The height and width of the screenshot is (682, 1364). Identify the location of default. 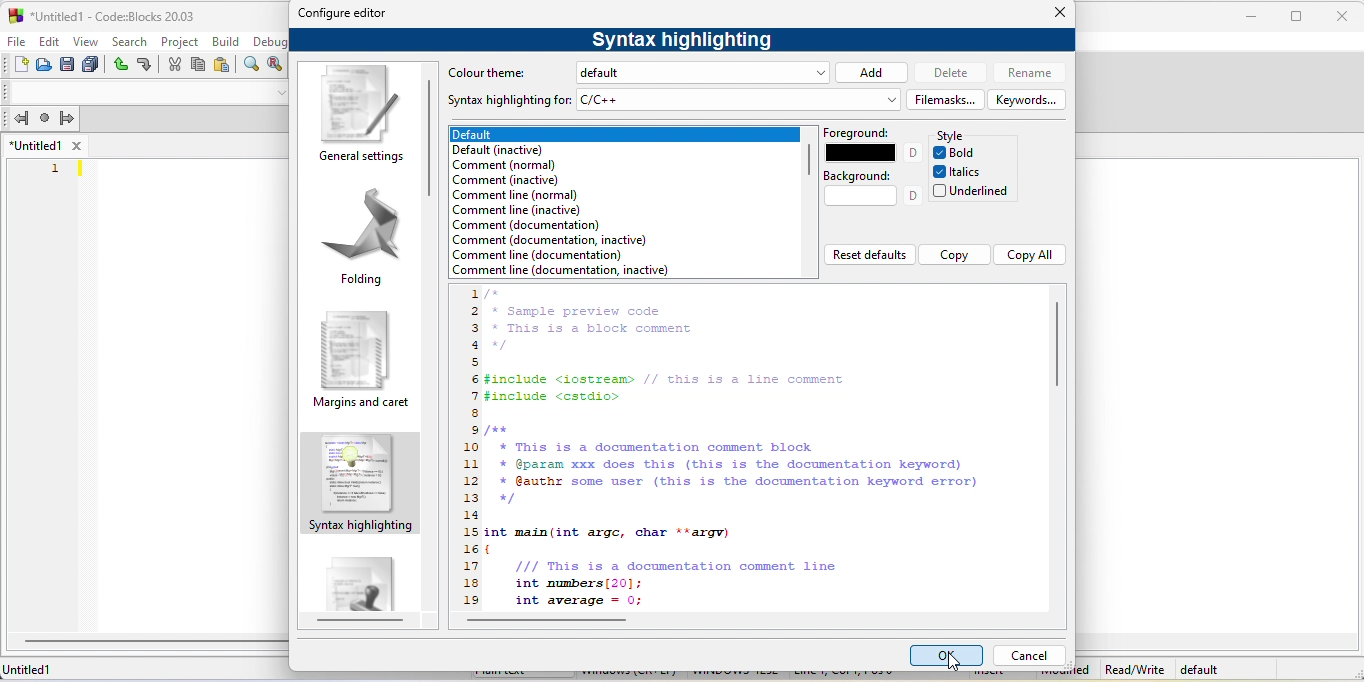
(1202, 669).